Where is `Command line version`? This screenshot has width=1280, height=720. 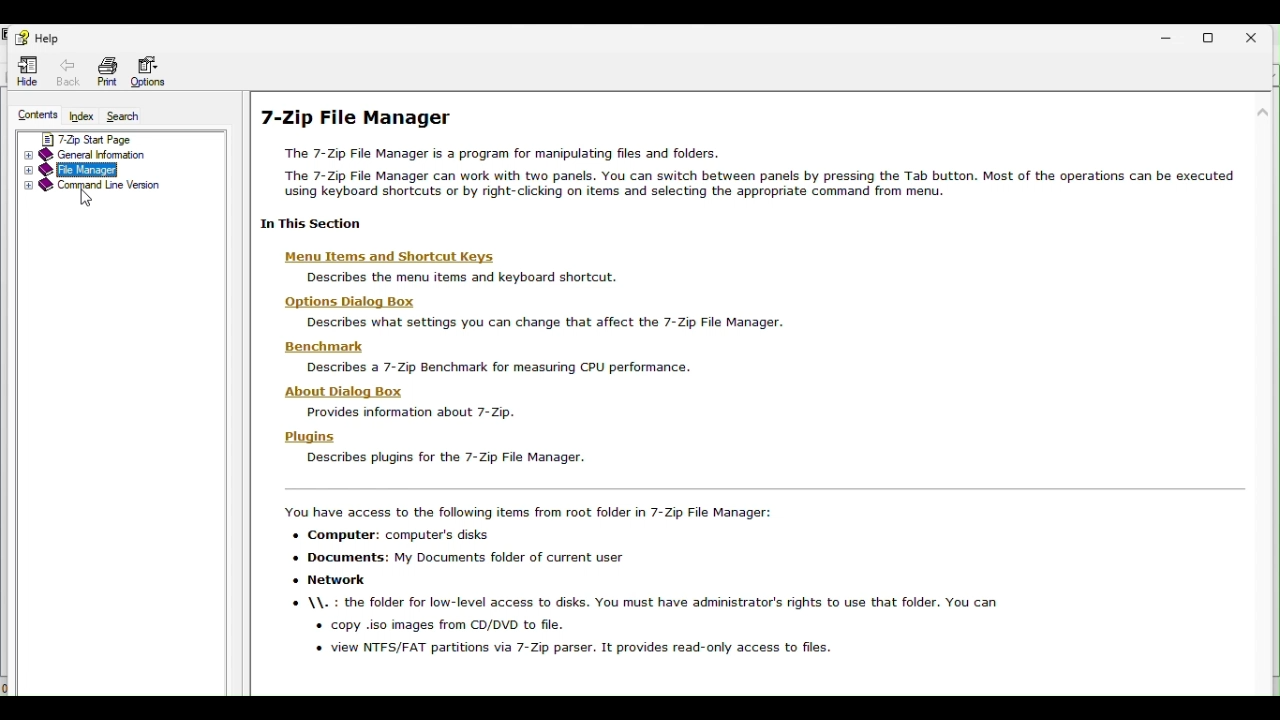
Command line version is located at coordinates (97, 188).